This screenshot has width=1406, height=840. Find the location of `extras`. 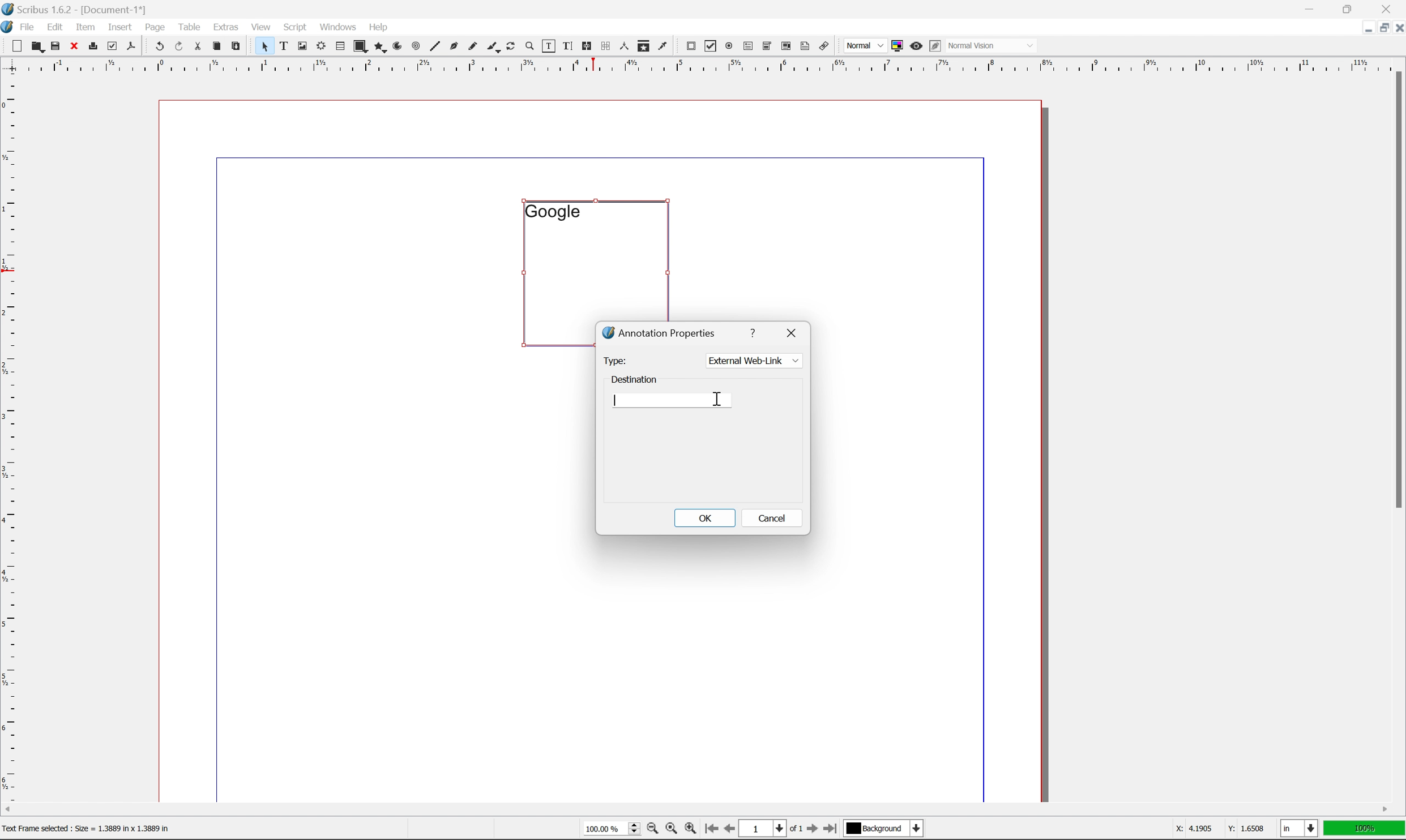

extras is located at coordinates (228, 27).